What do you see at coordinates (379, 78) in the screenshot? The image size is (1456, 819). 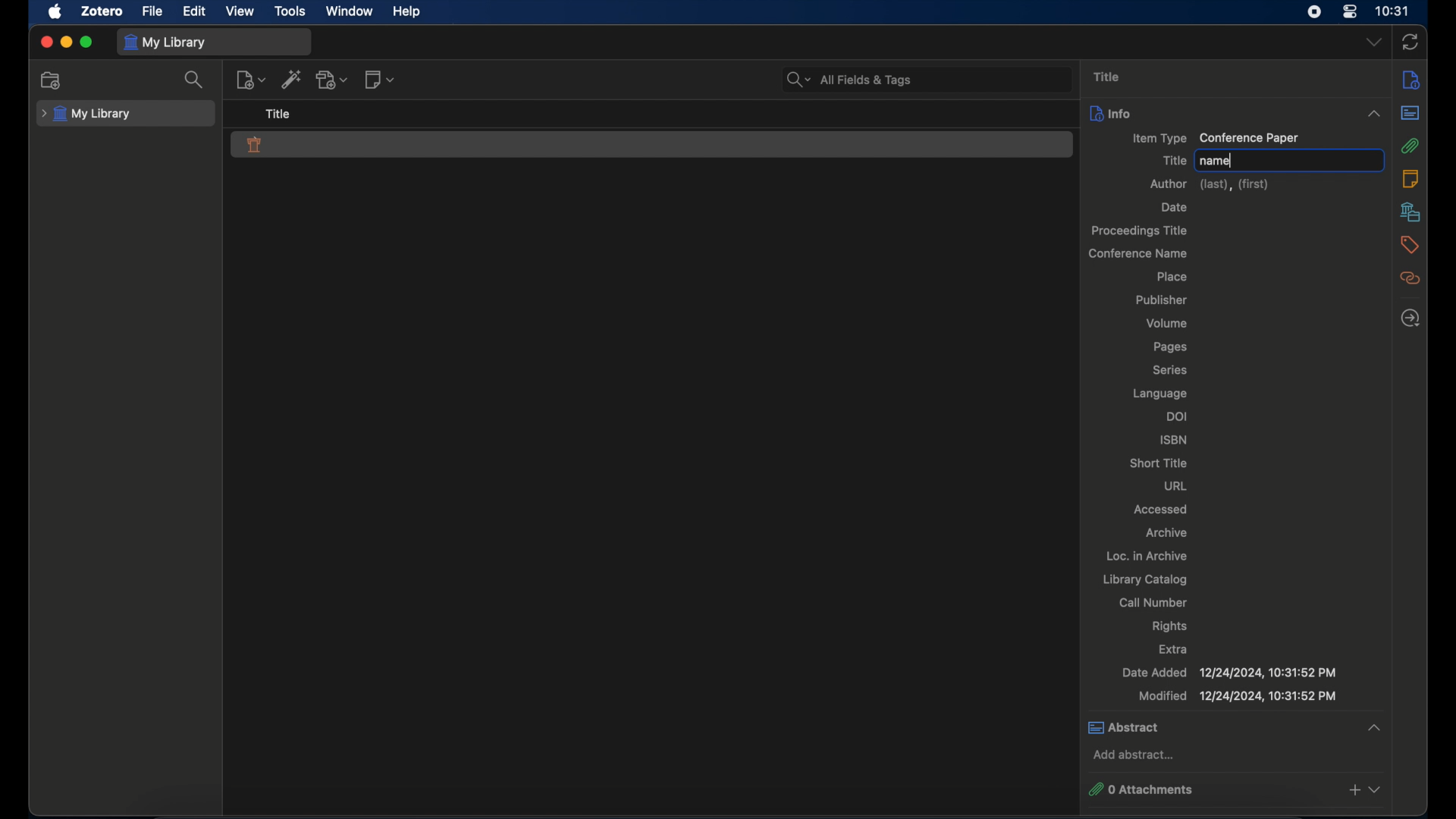 I see `new notes` at bounding box center [379, 78].